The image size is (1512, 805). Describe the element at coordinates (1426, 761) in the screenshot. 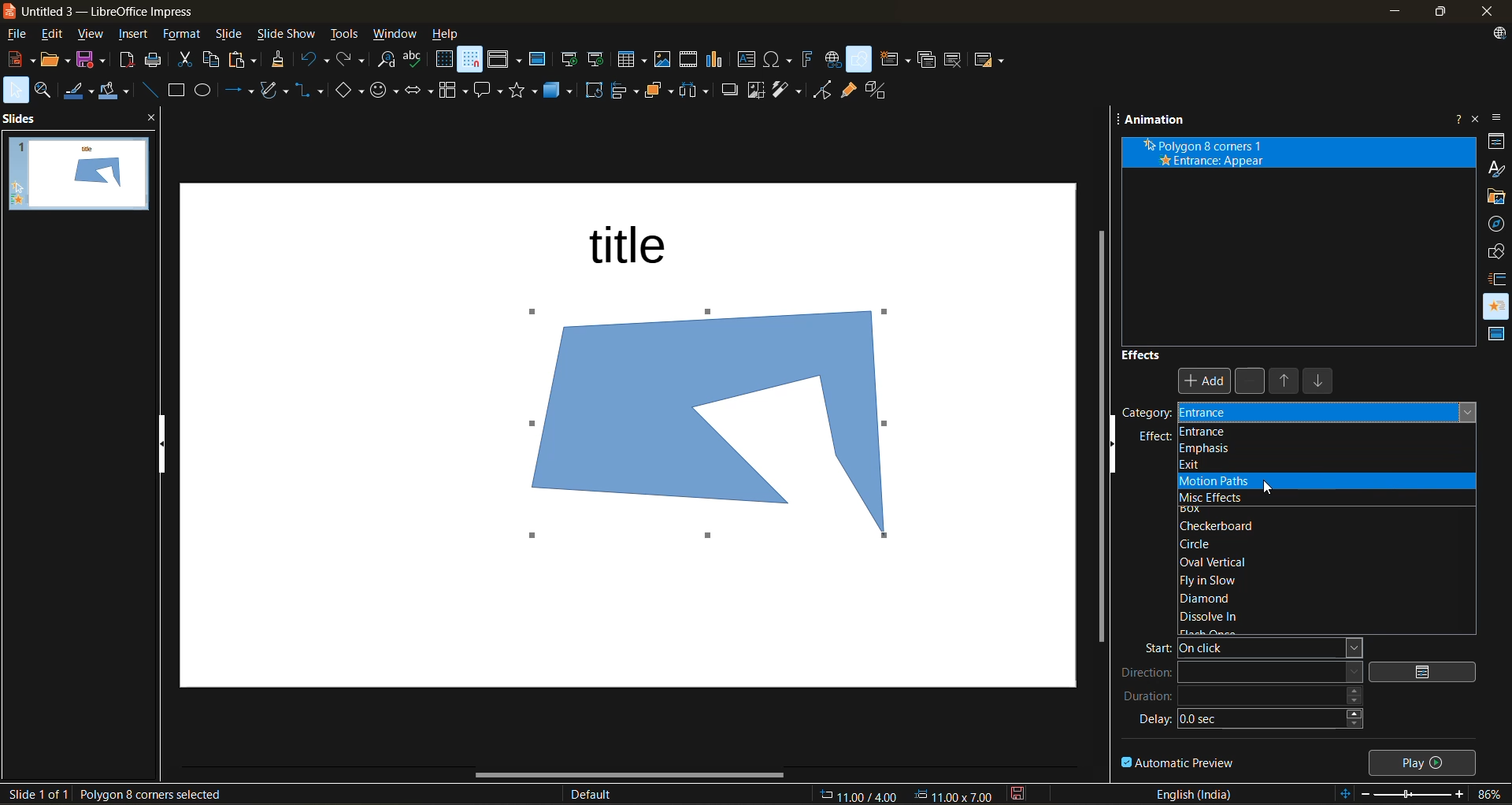

I see `play` at that location.